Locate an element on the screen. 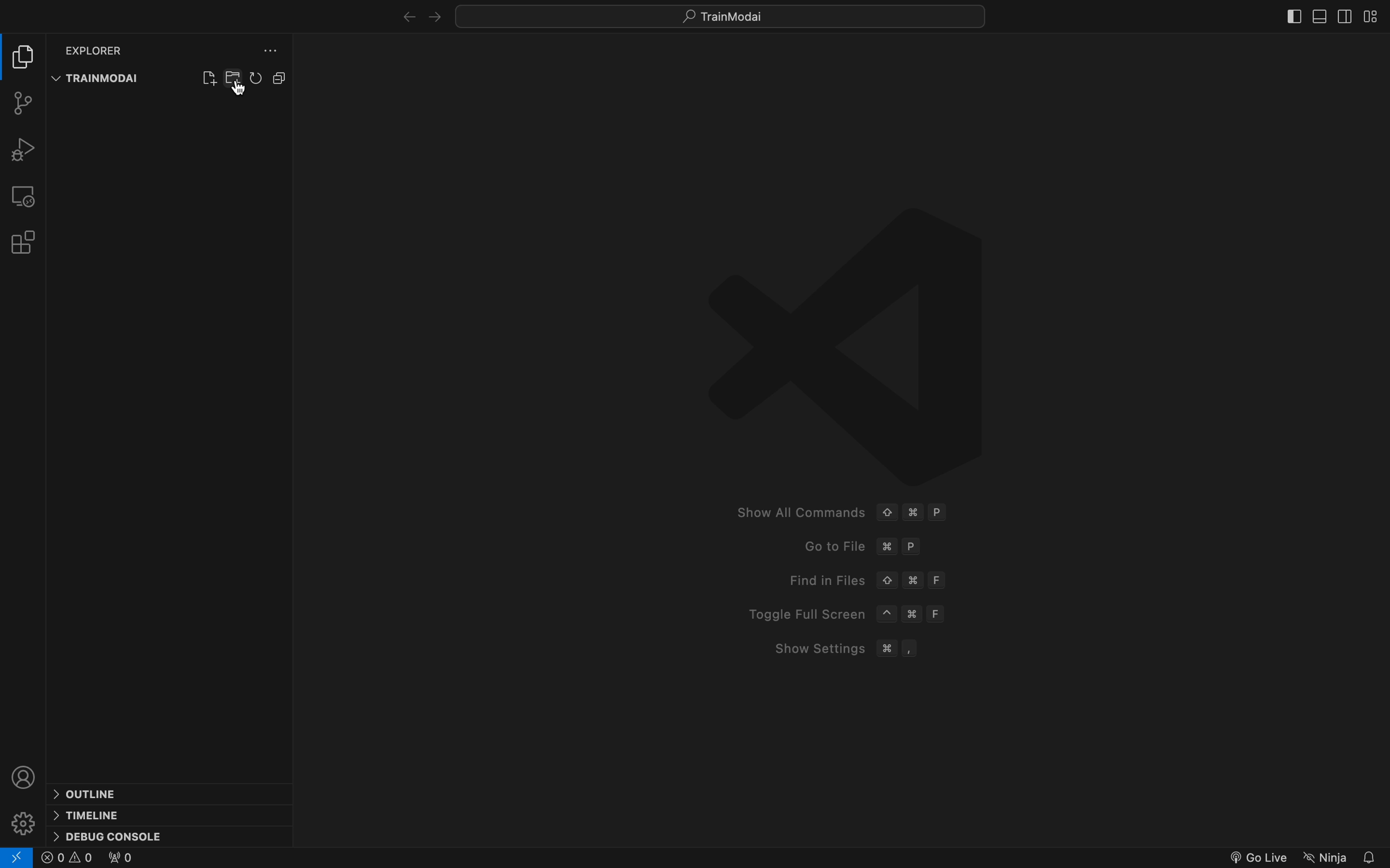 This screenshot has width=1390, height=868. time line is located at coordinates (88, 814).